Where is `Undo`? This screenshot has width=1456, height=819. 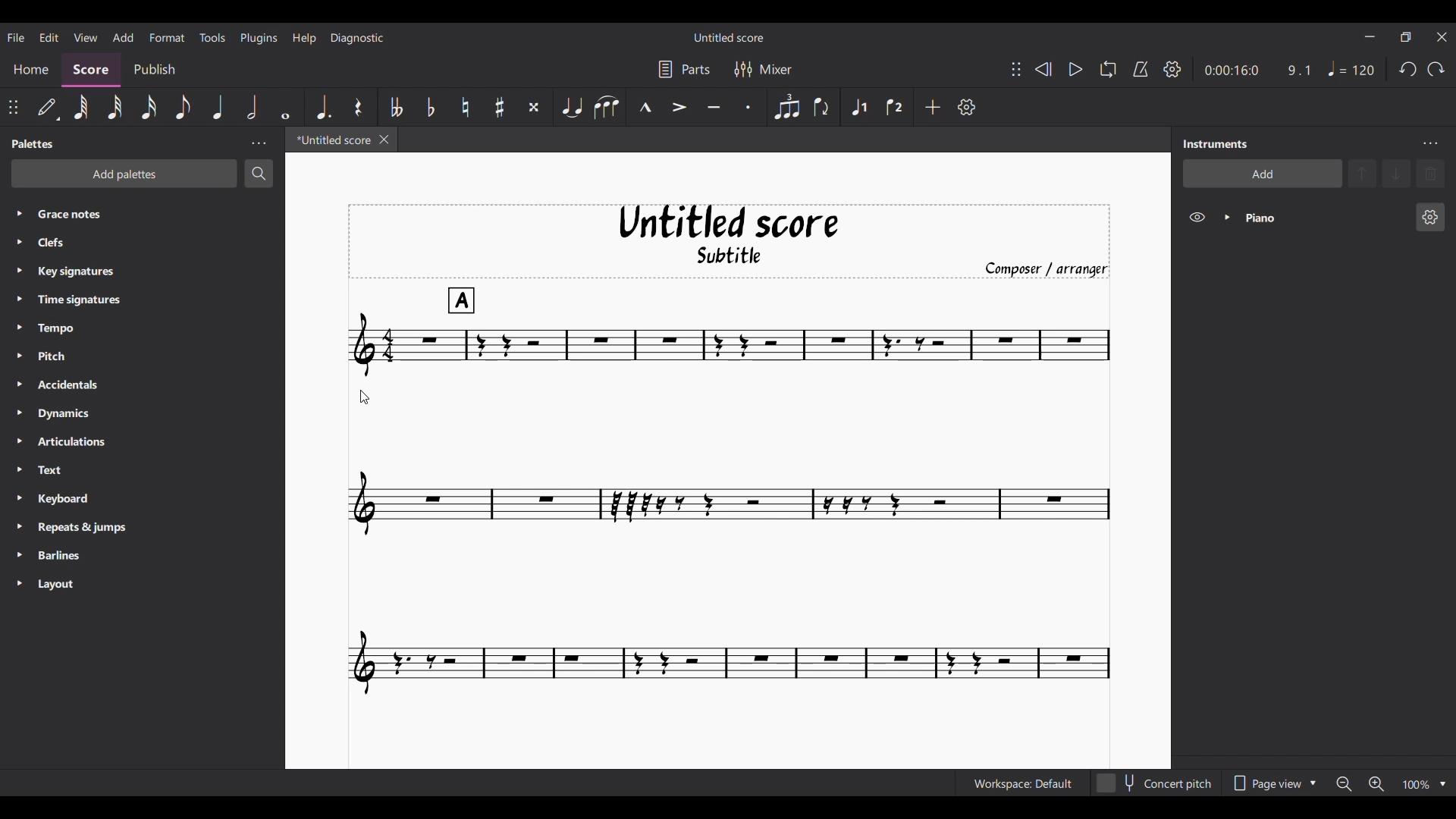 Undo is located at coordinates (1407, 69).